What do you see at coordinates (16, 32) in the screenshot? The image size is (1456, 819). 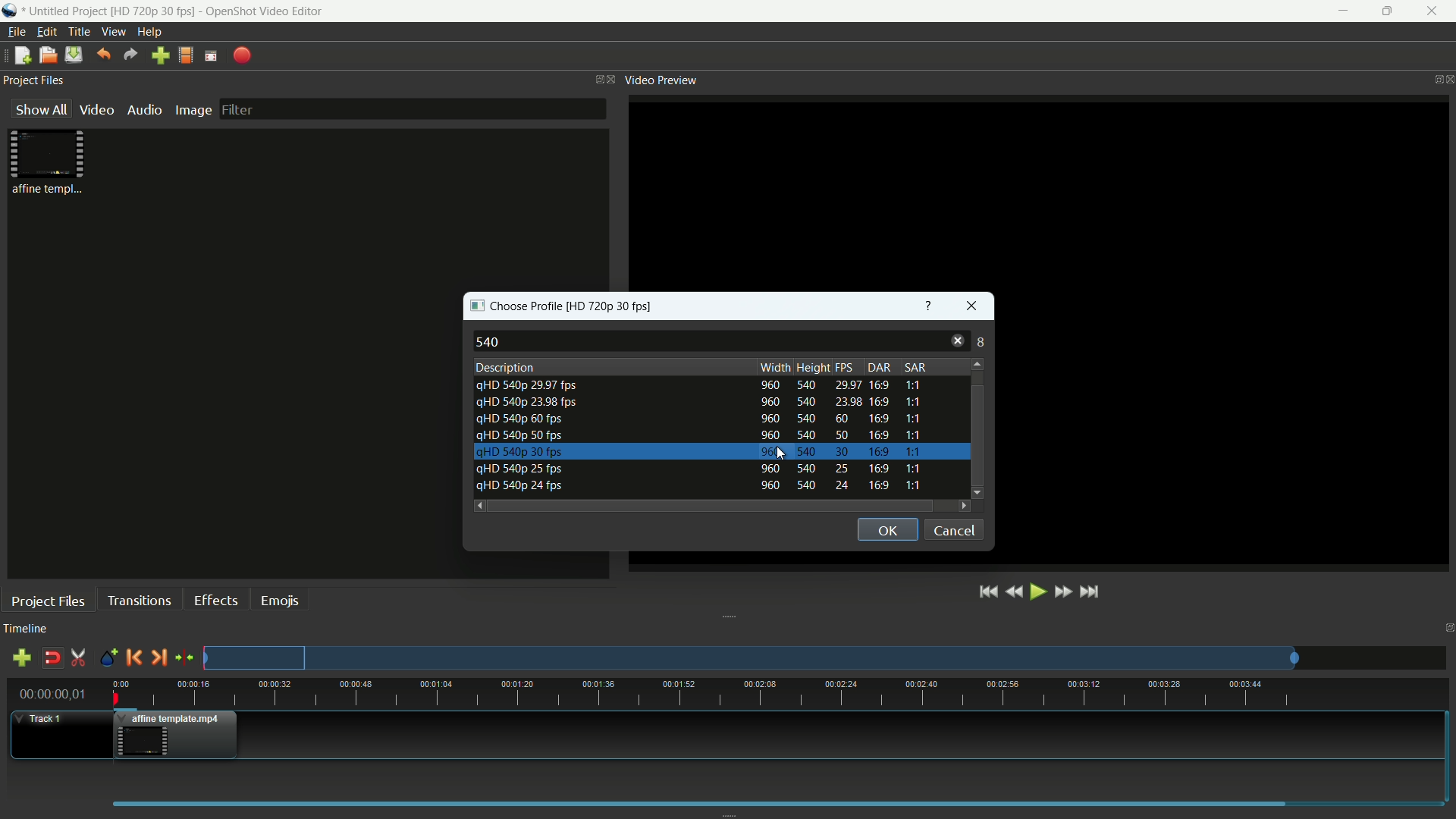 I see `file menu` at bounding box center [16, 32].